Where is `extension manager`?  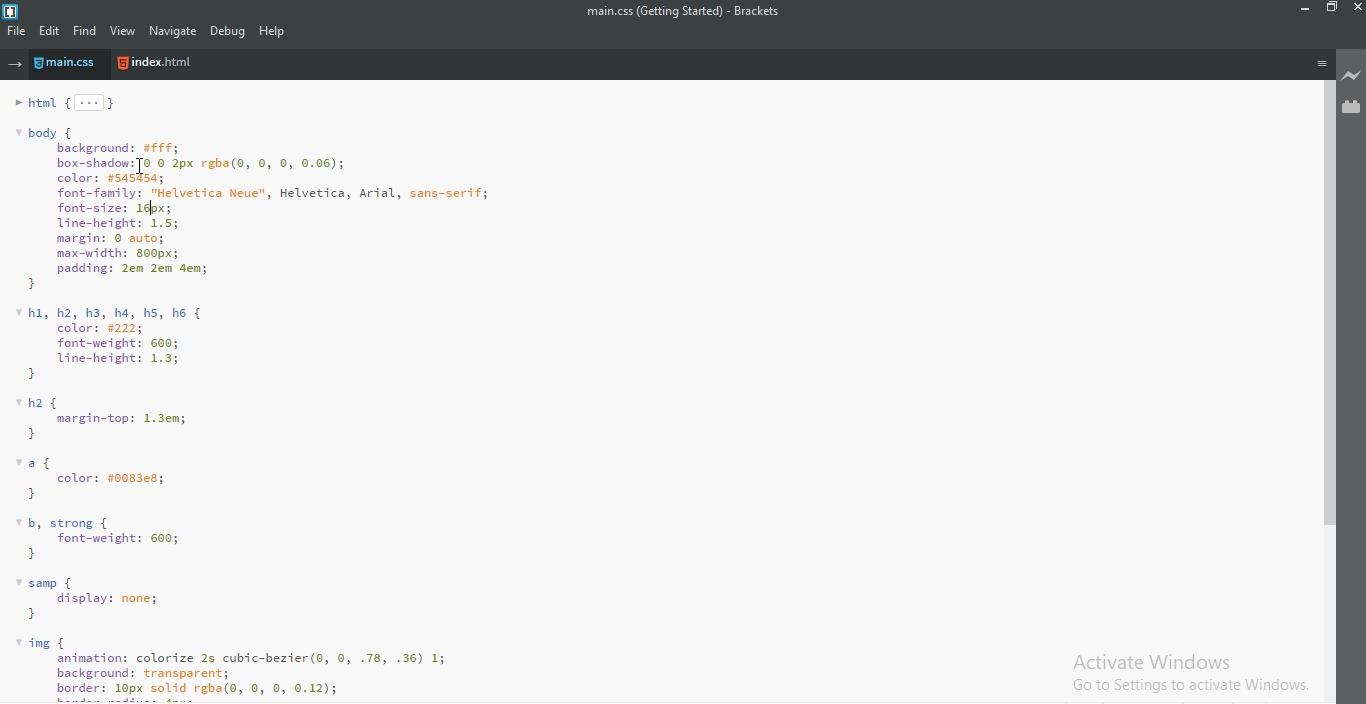
extension manager is located at coordinates (1352, 107).